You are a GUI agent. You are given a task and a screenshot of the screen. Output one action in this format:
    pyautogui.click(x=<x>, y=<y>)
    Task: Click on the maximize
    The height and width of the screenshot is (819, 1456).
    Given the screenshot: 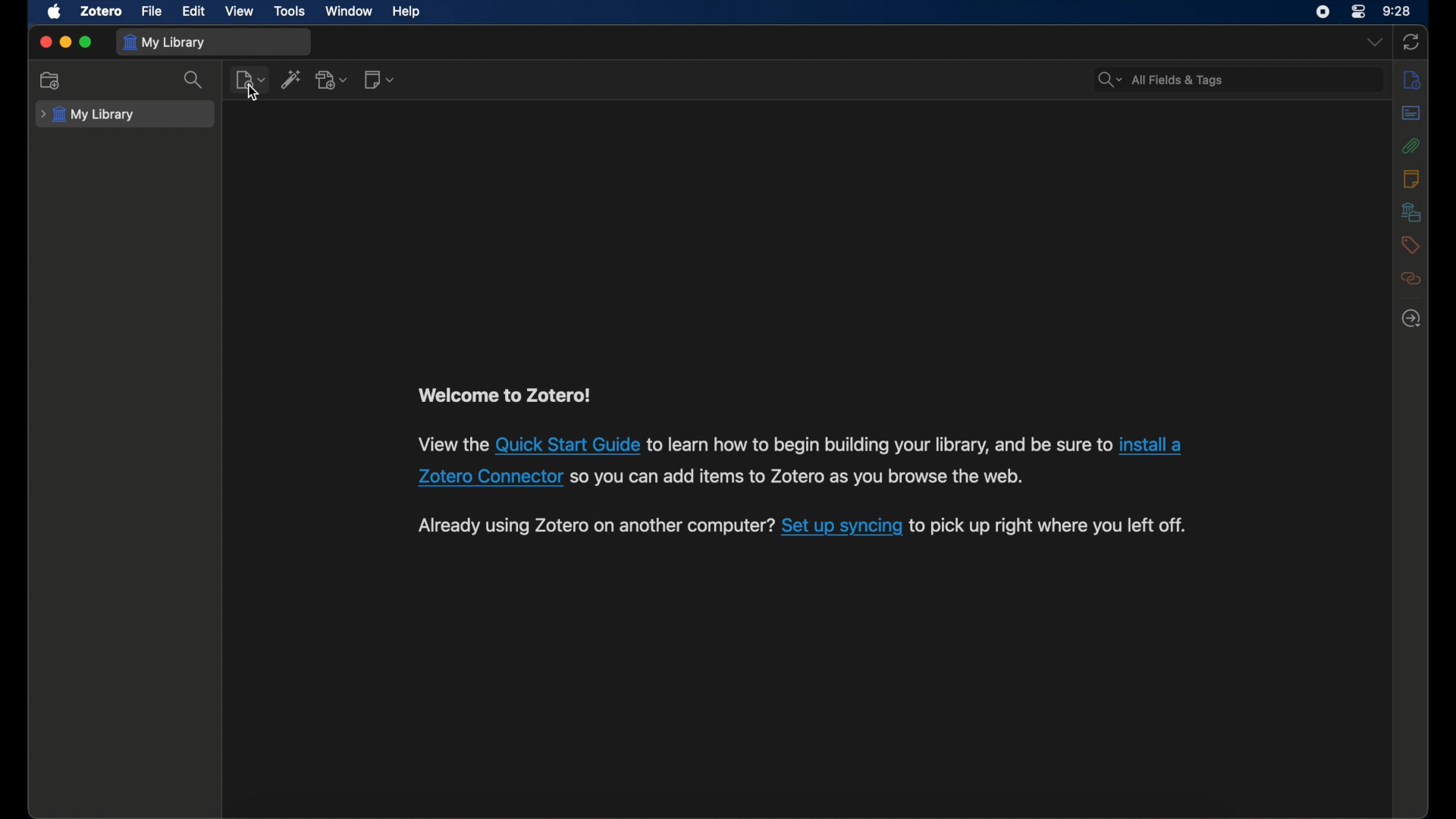 What is the action you would take?
    pyautogui.click(x=86, y=42)
    